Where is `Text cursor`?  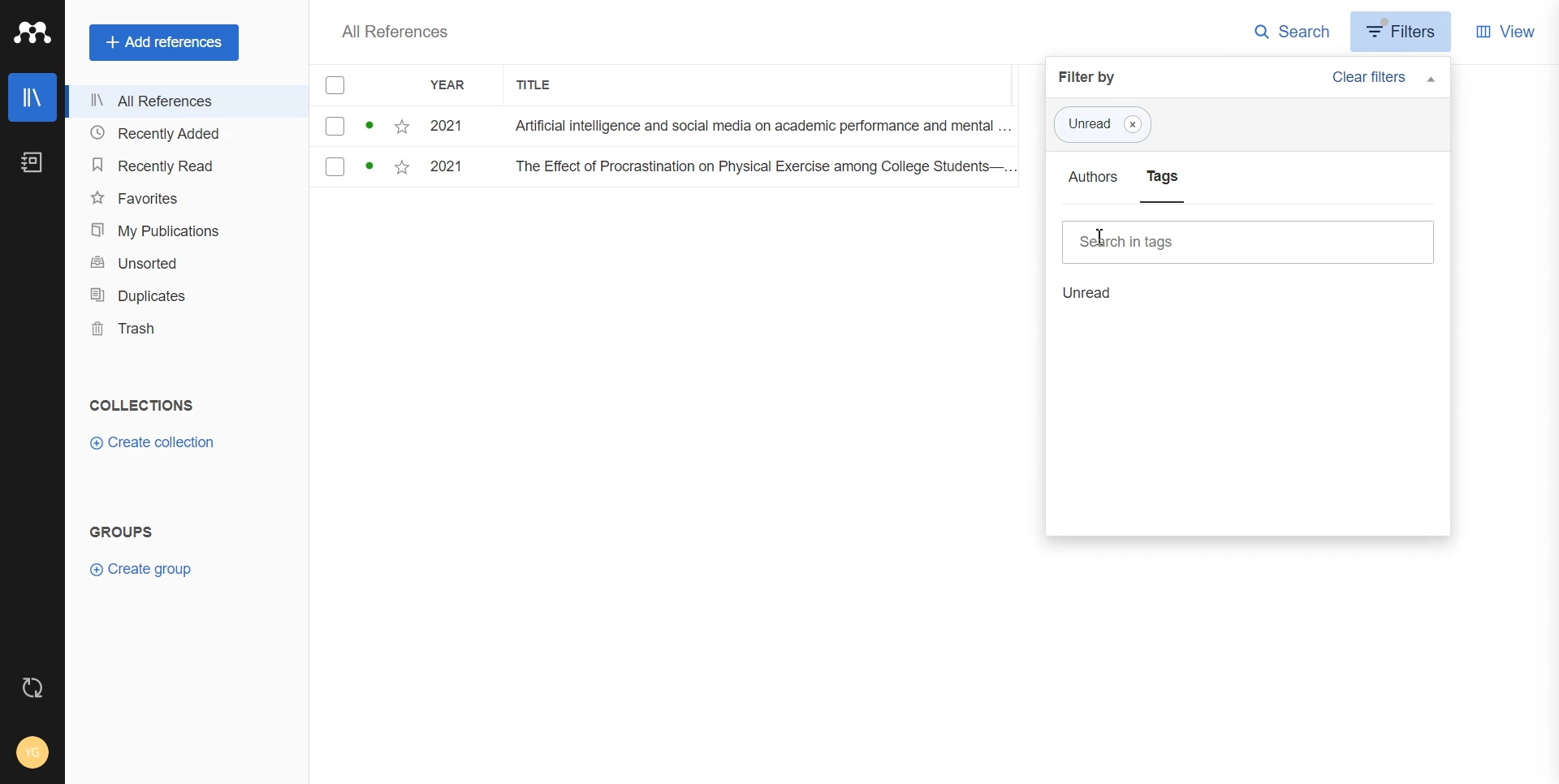 Text cursor is located at coordinates (1108, 237).